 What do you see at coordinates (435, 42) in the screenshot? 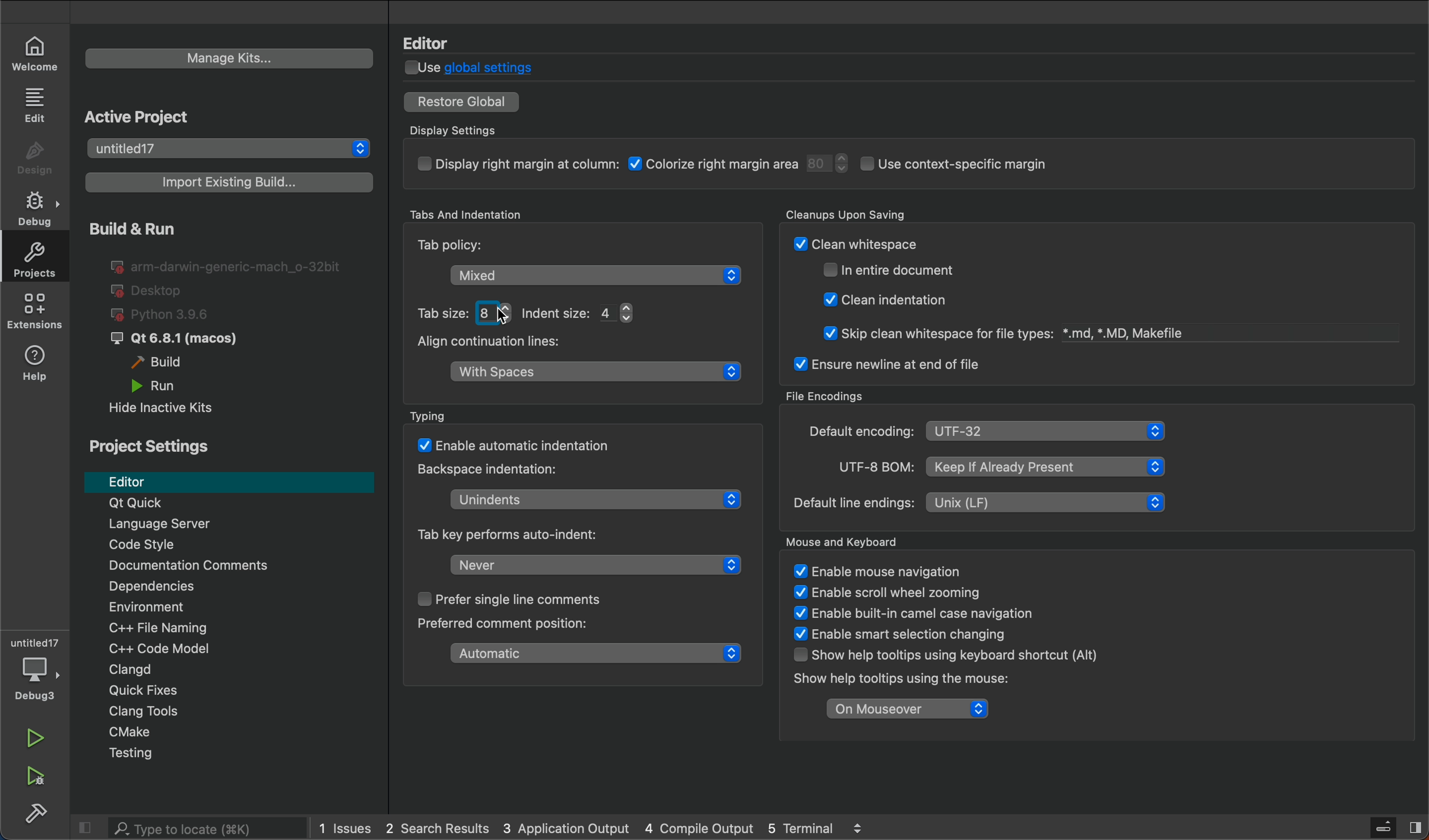
I see `Editor` at bounding box center [435, 42].